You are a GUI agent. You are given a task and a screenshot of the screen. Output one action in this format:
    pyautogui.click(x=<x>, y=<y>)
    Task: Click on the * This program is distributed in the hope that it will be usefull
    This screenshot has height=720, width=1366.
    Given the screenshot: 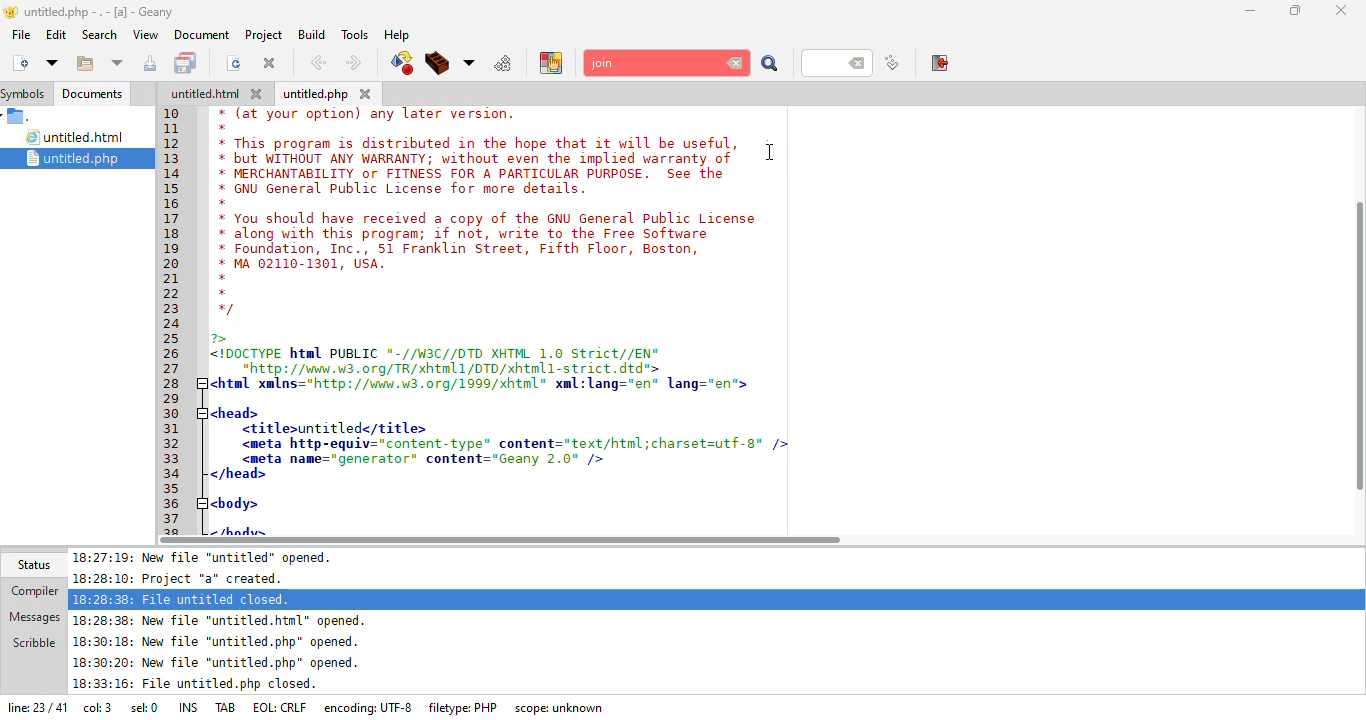 What is the action you would take?
    pyautogui.click(x=476, y=143)
    